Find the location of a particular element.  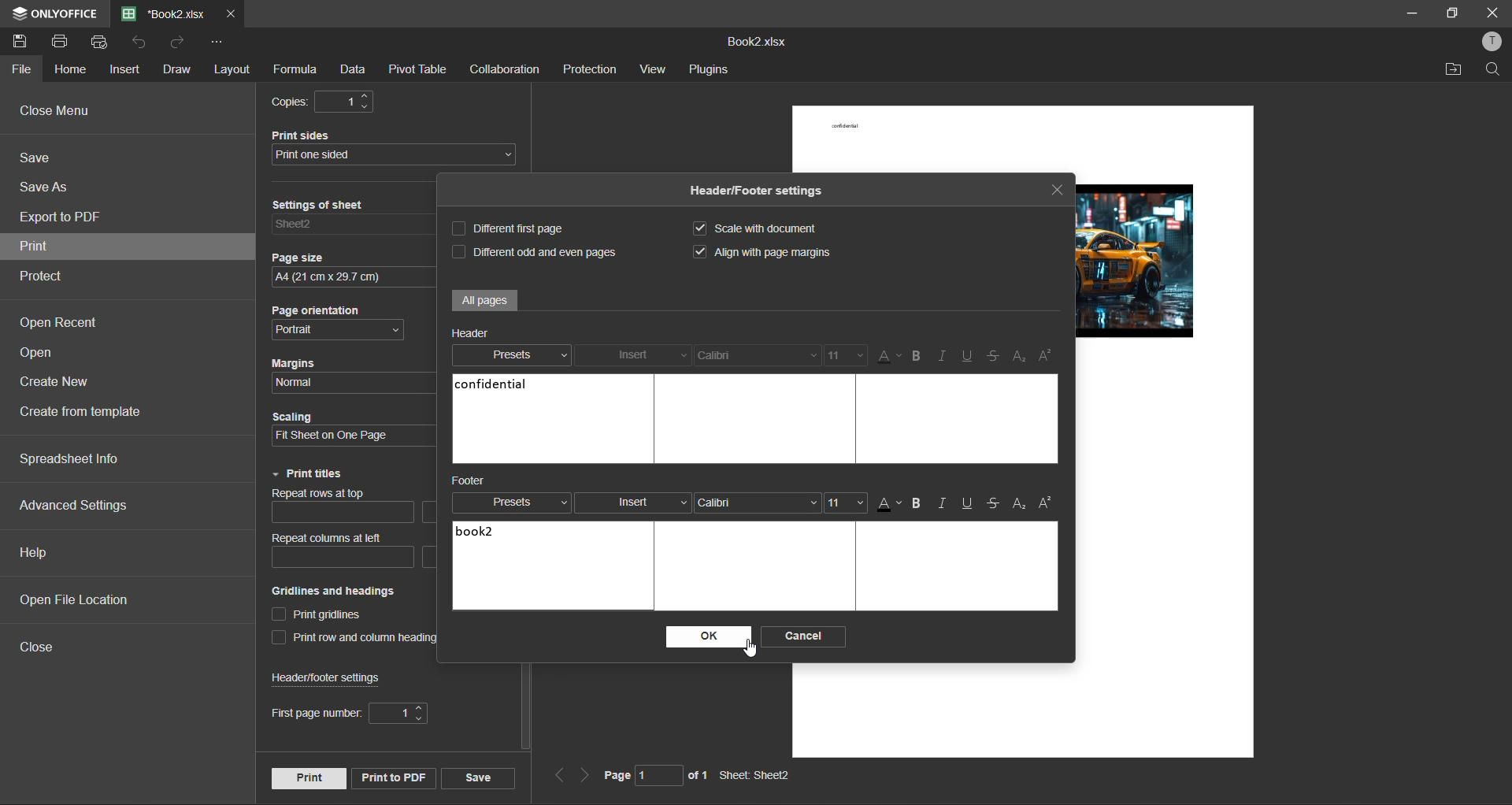

redo is located at coordinates (183, 43).